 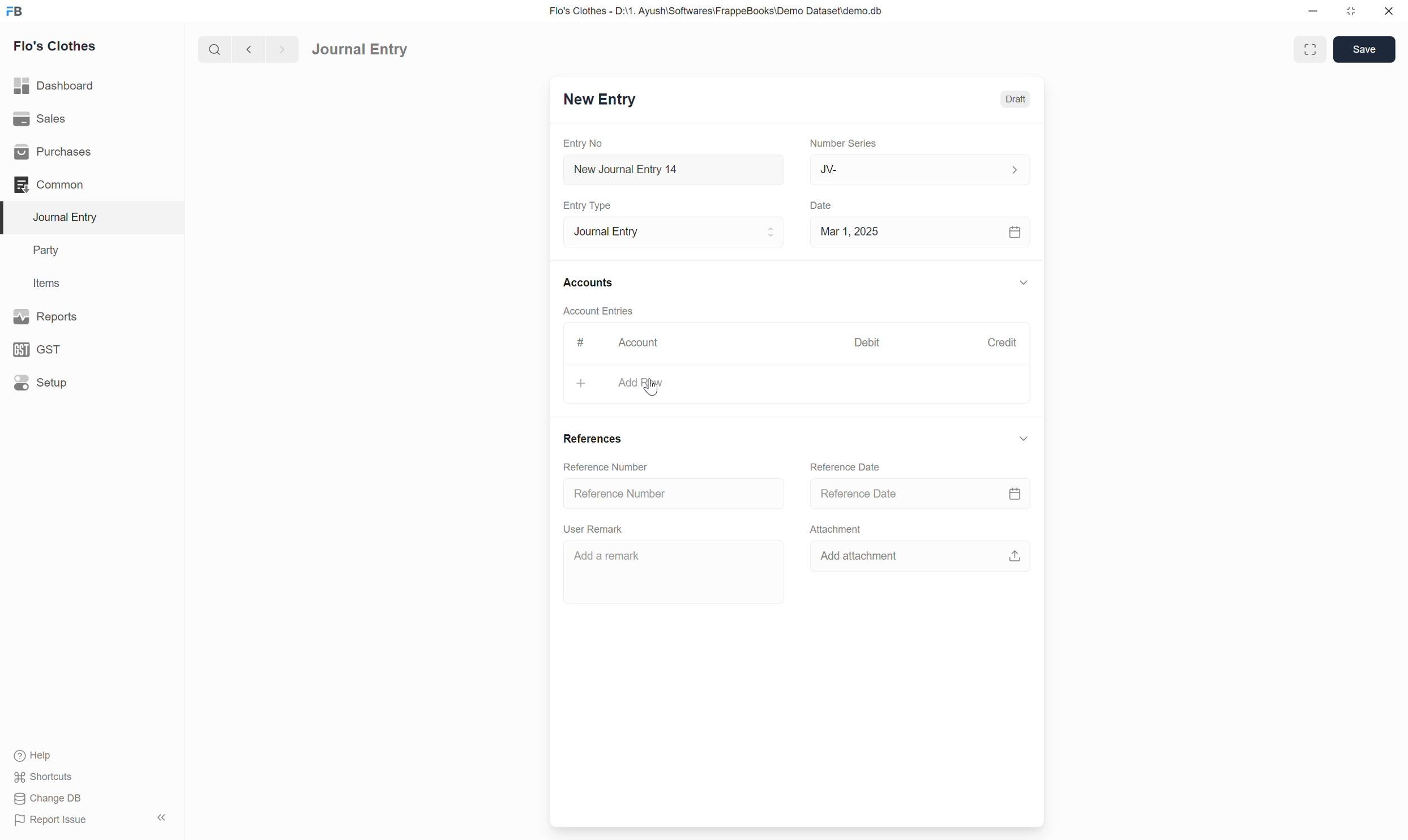 What do you see at coordinates (46, 282) in the screenshot?
I see `Items` at bounding box center [46, 282].